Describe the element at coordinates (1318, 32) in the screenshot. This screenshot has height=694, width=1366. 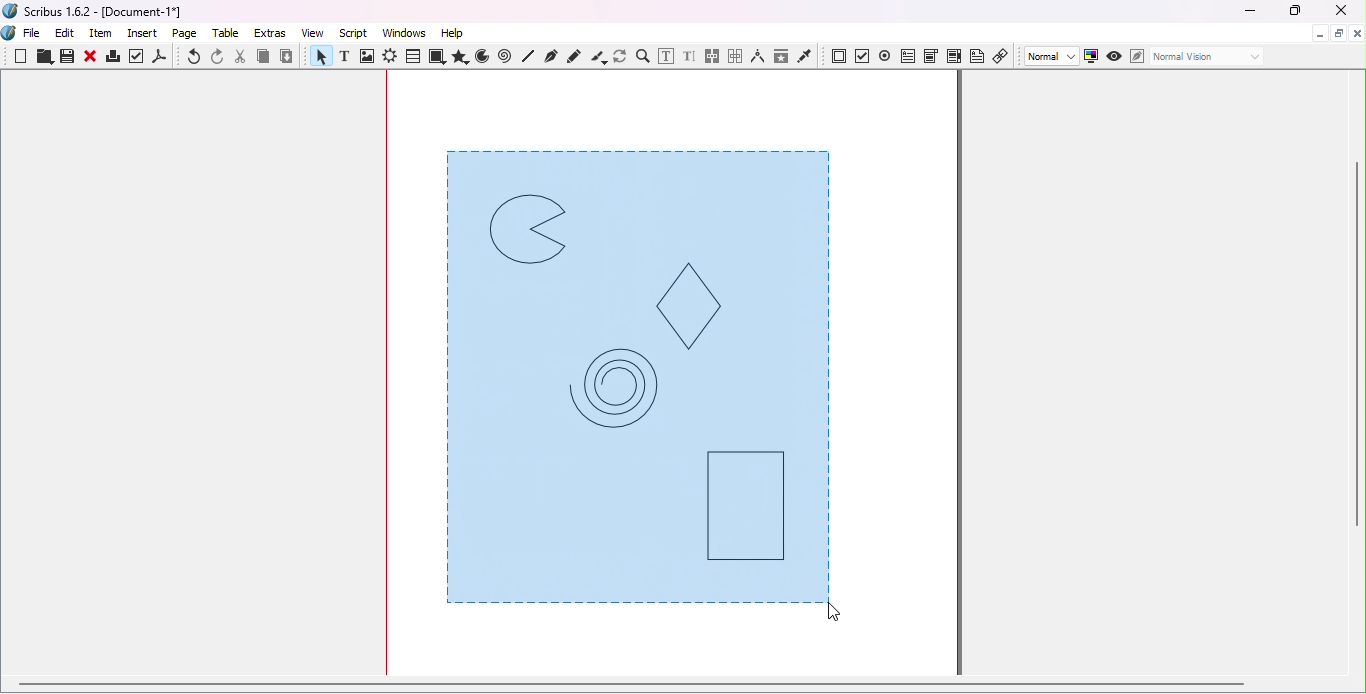
I see `Minimize` at that location.